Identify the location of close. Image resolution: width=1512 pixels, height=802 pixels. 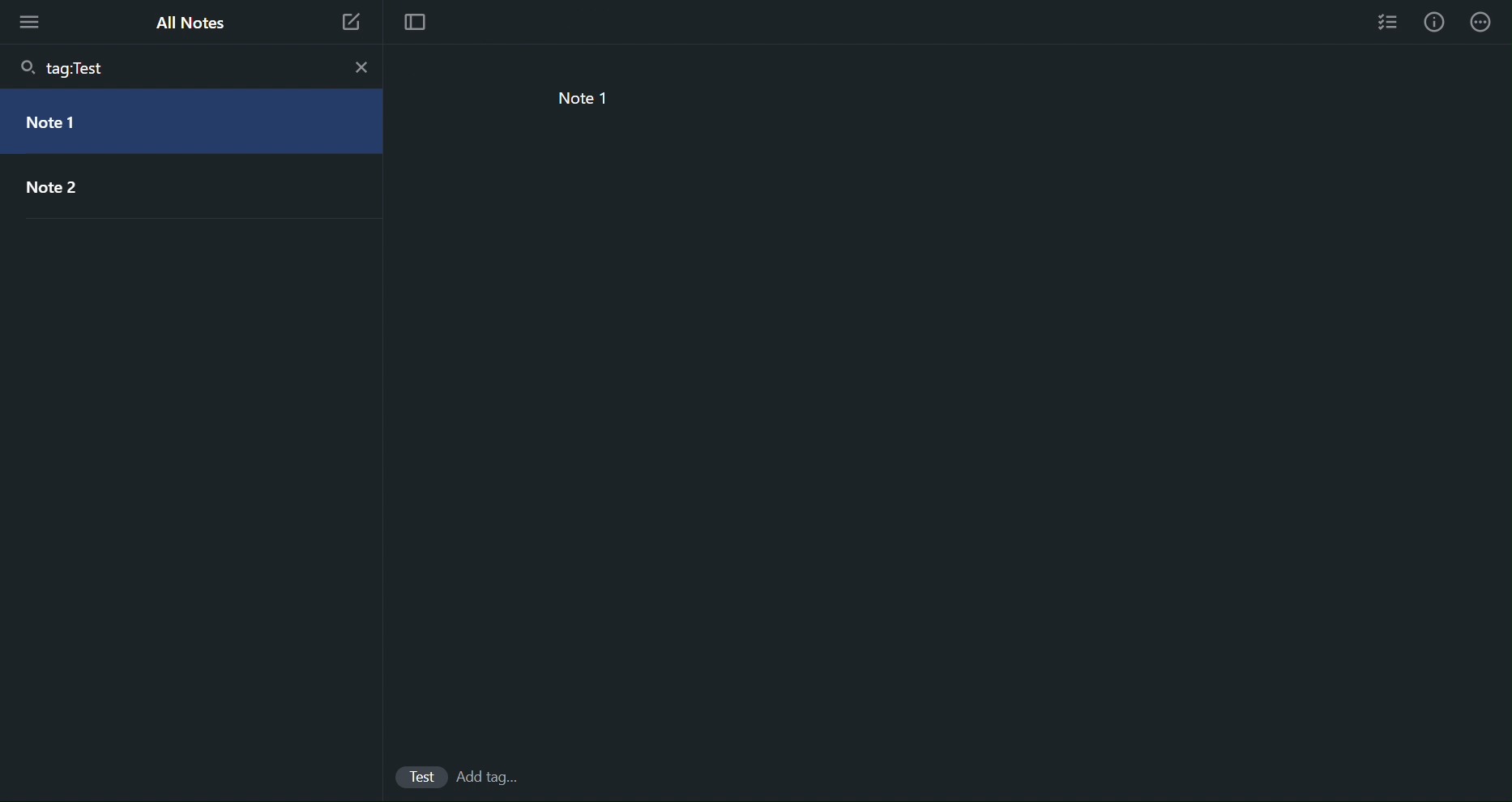
(362, 64).